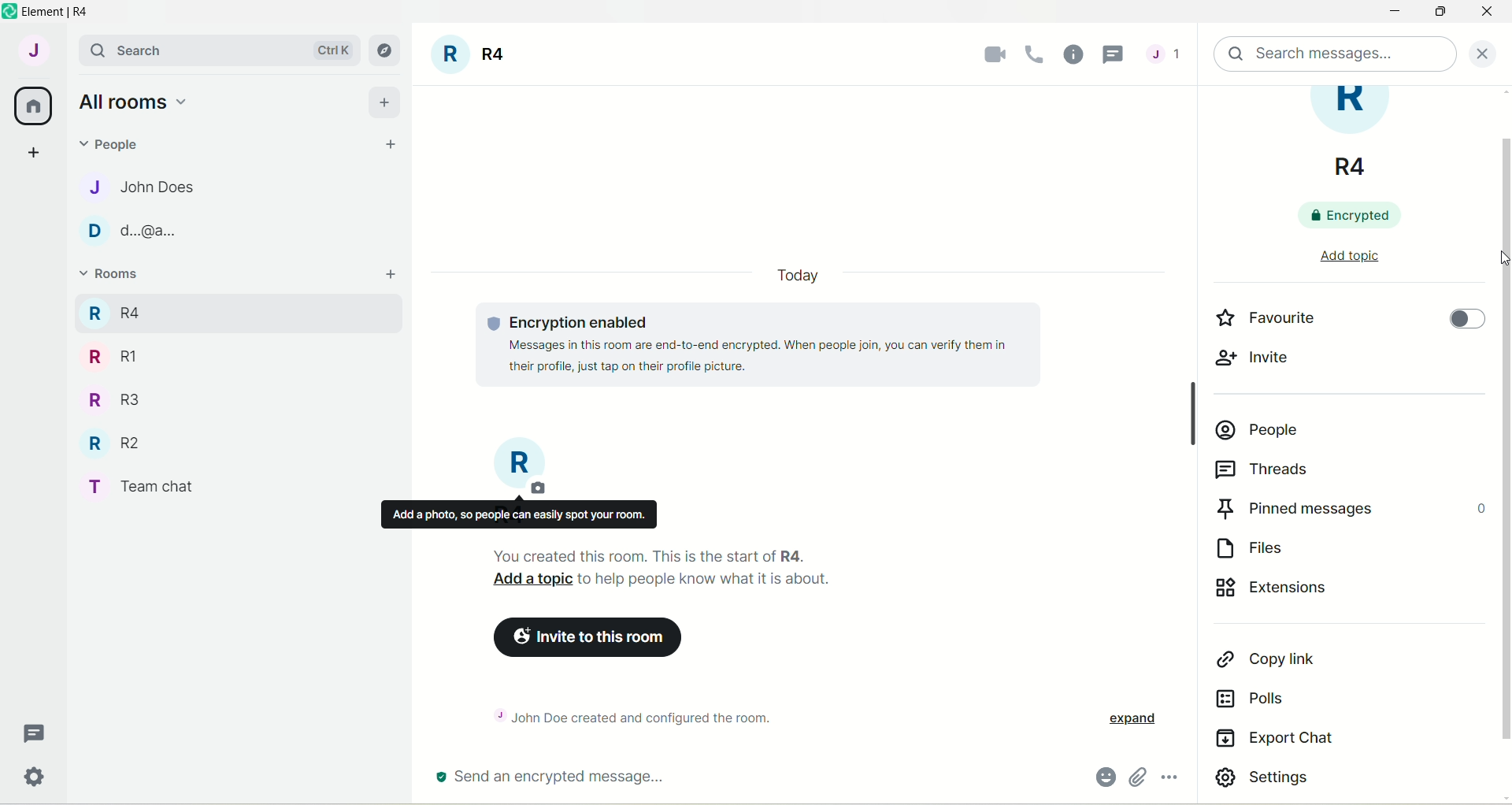  I want to click on add topic, so click(1349, 254).